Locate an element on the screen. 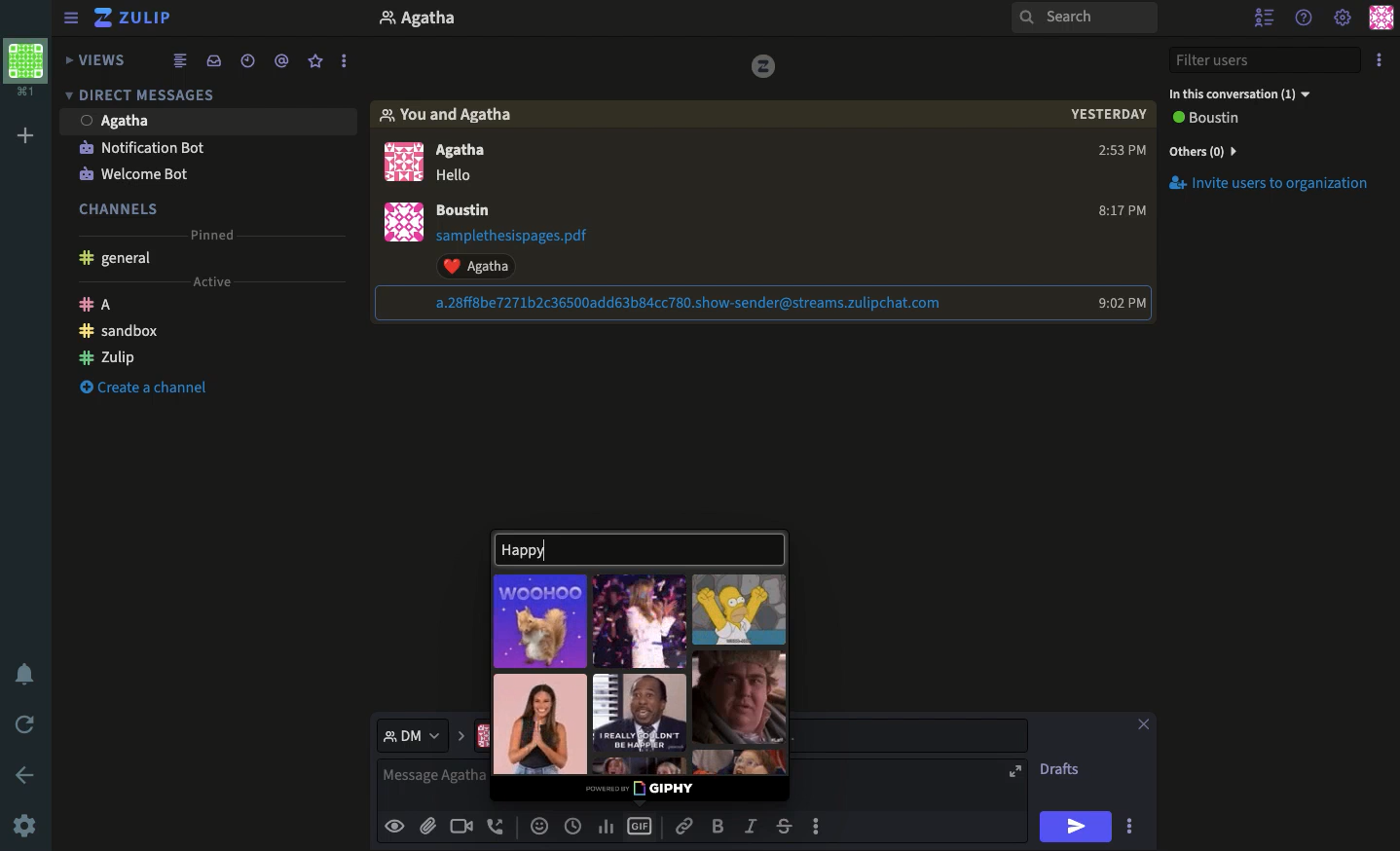  Hide user list is located at coordinates (1261, 18).